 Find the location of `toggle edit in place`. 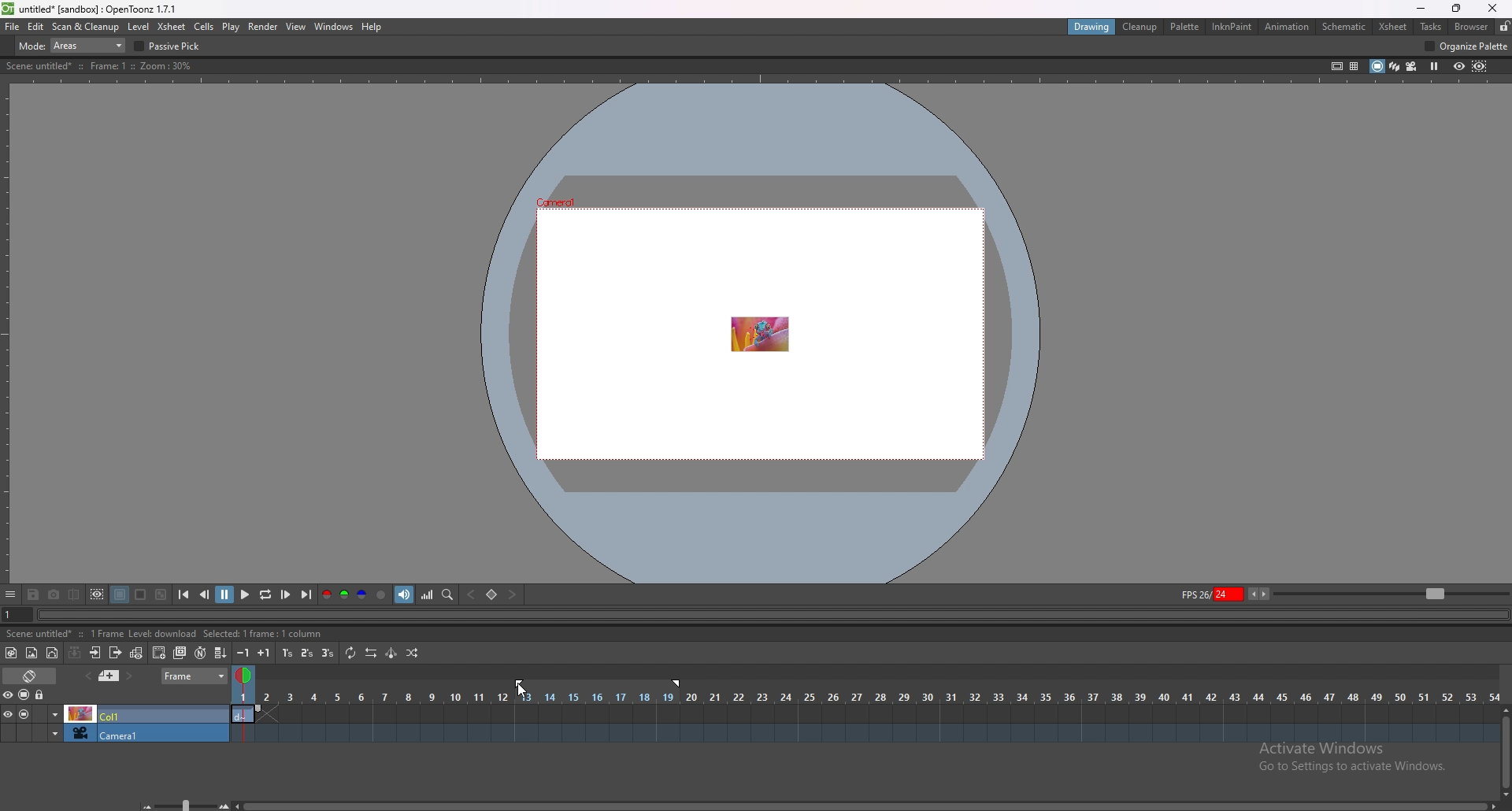

toggle edit in place is located at coordinates (138, 654).